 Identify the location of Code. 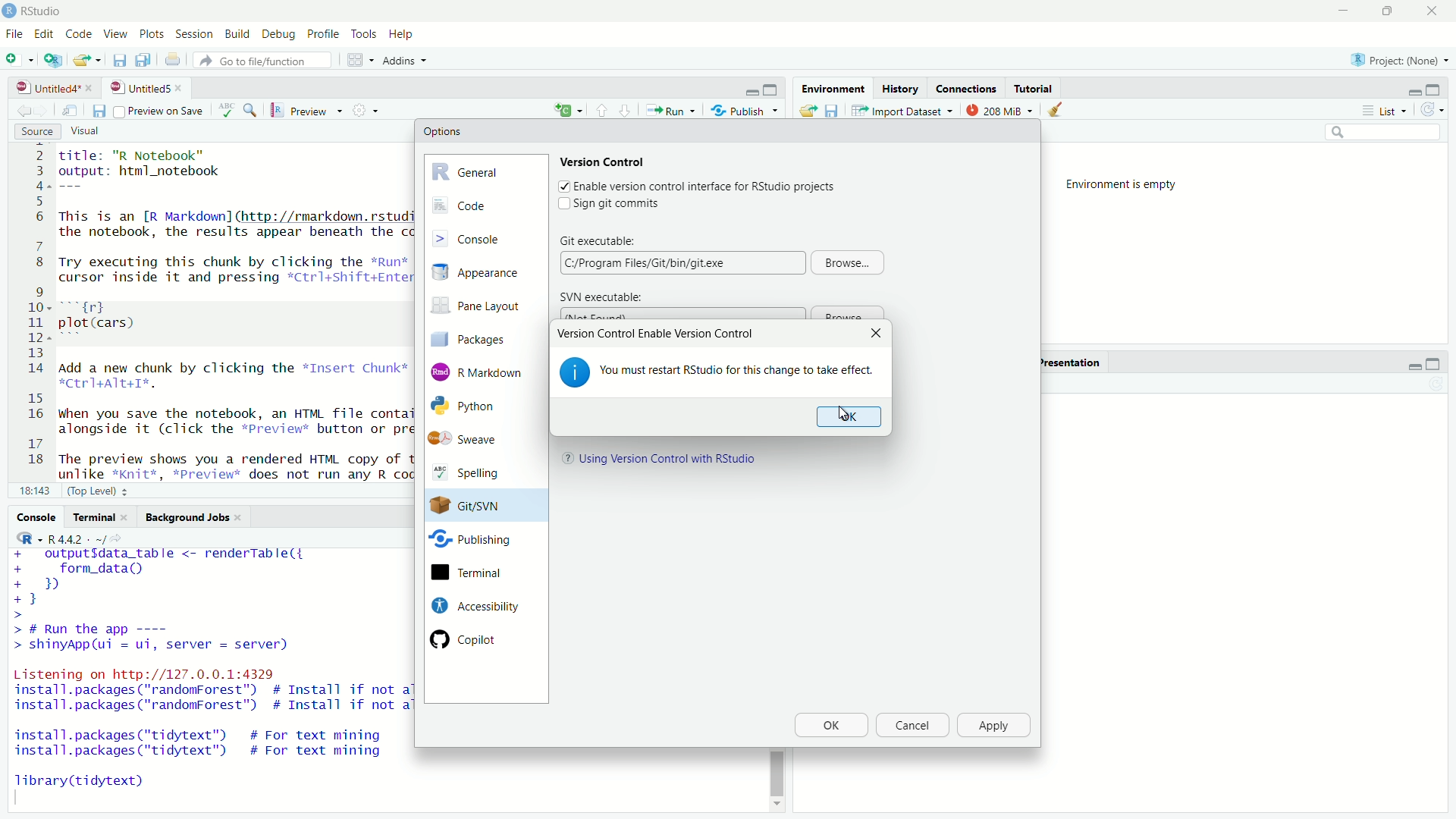
(77, 35).